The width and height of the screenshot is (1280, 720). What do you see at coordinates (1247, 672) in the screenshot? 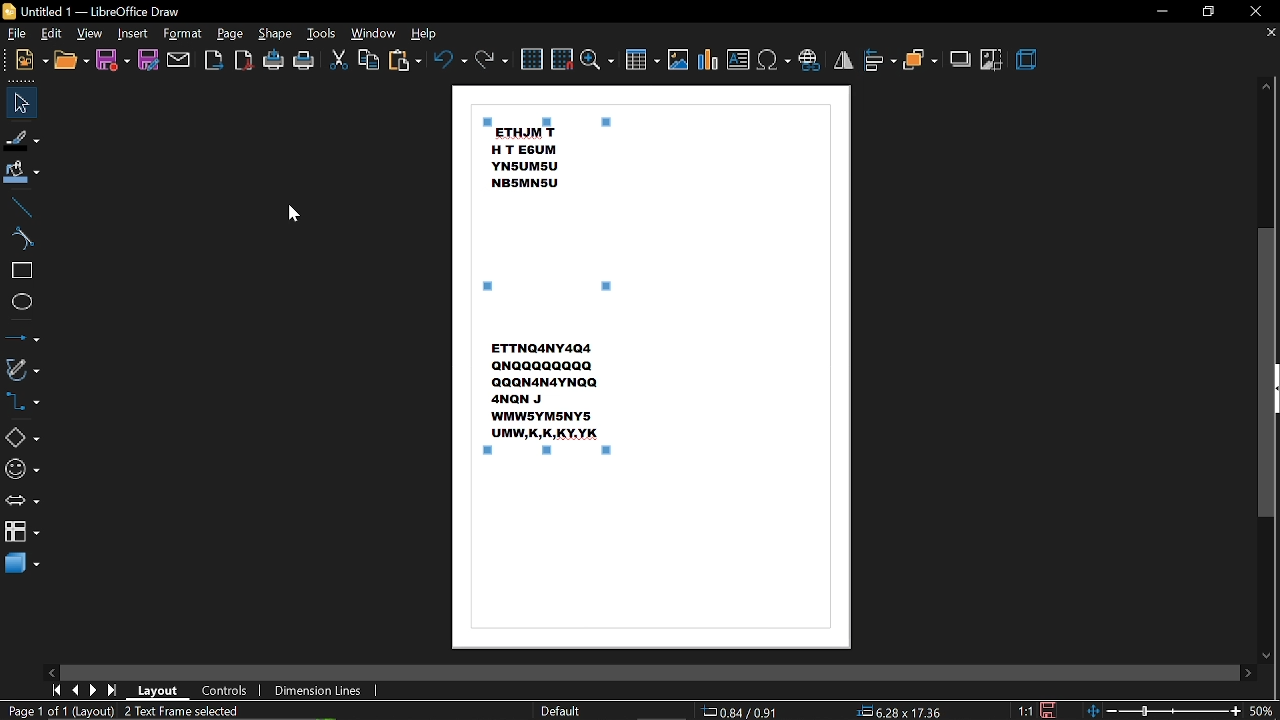
I see `move right` at bounding box center [1247, 672].